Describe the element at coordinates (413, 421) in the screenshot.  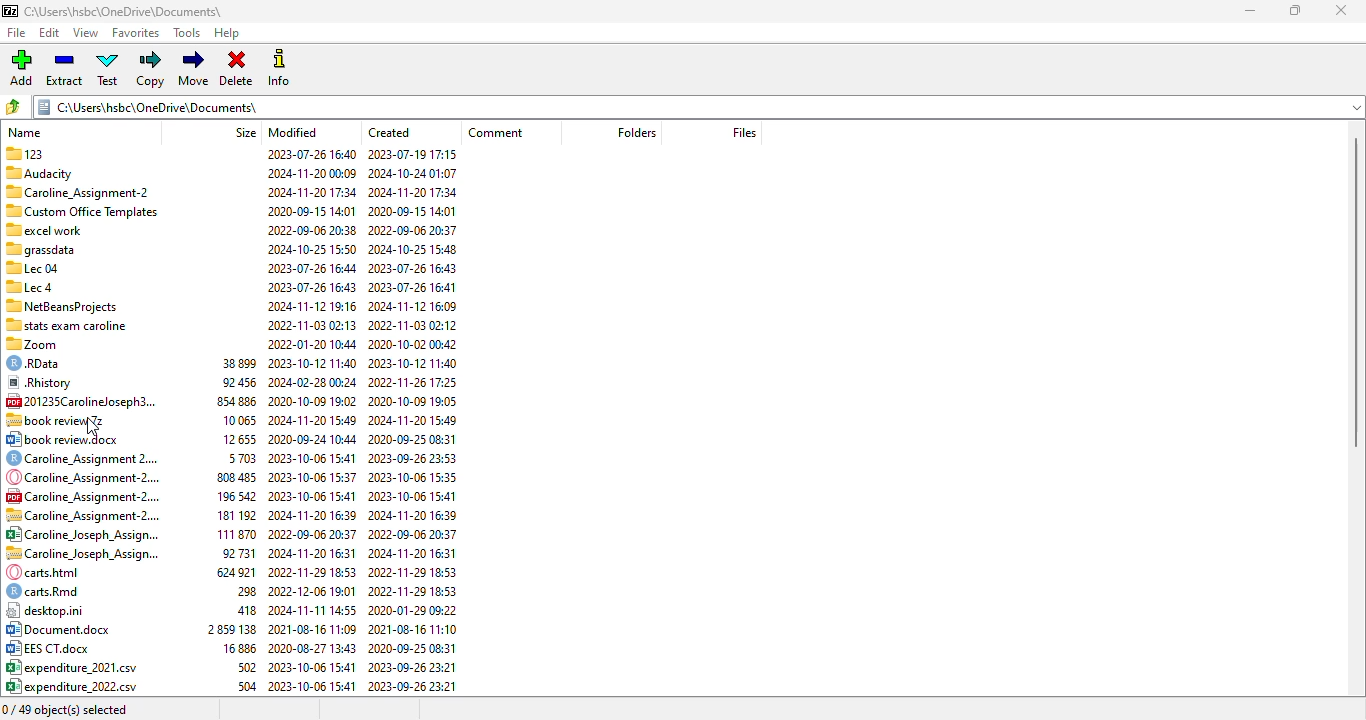
I see `created date & time` at that location.